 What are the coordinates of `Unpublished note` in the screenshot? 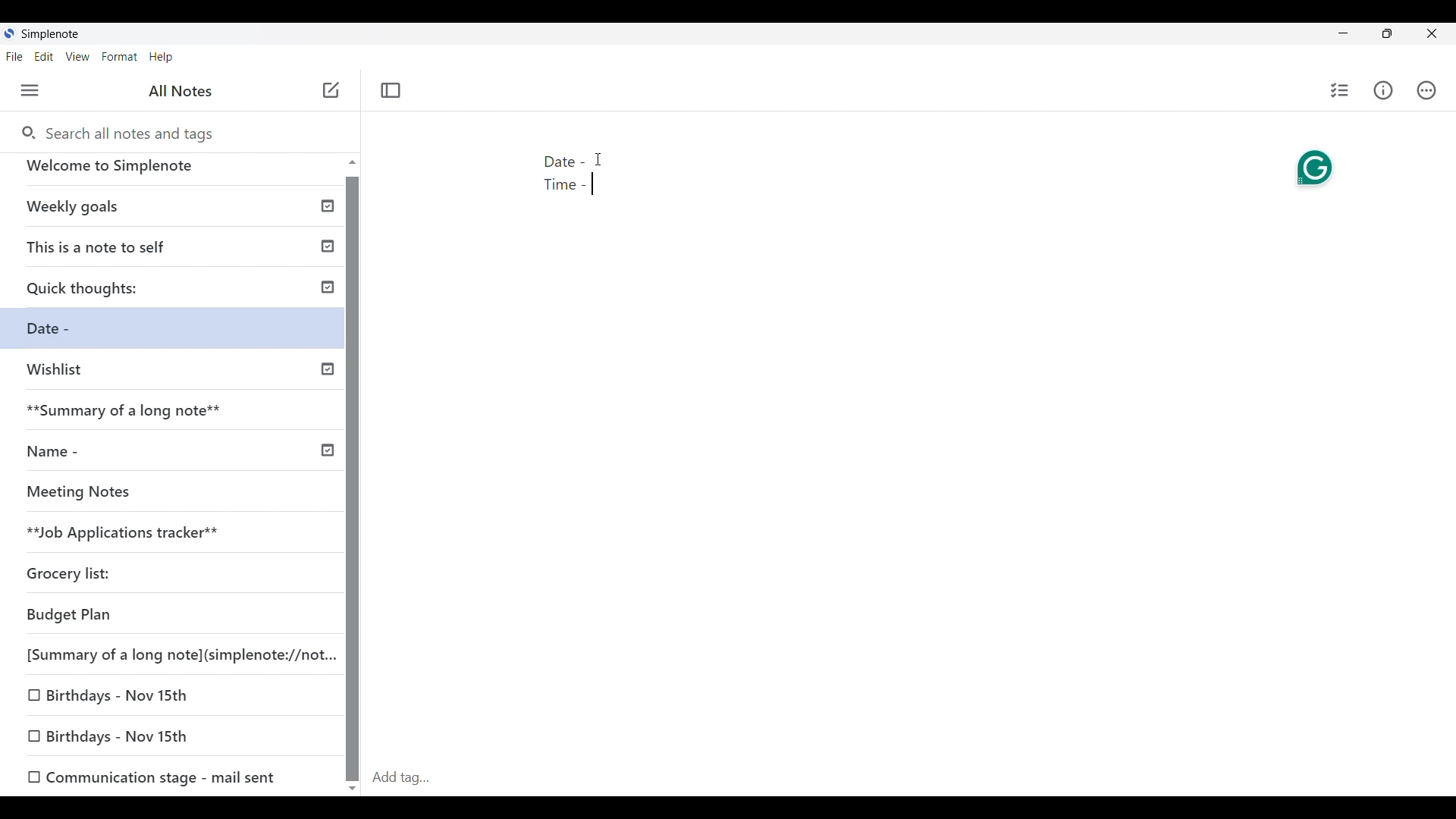 It's located at (152, 775).